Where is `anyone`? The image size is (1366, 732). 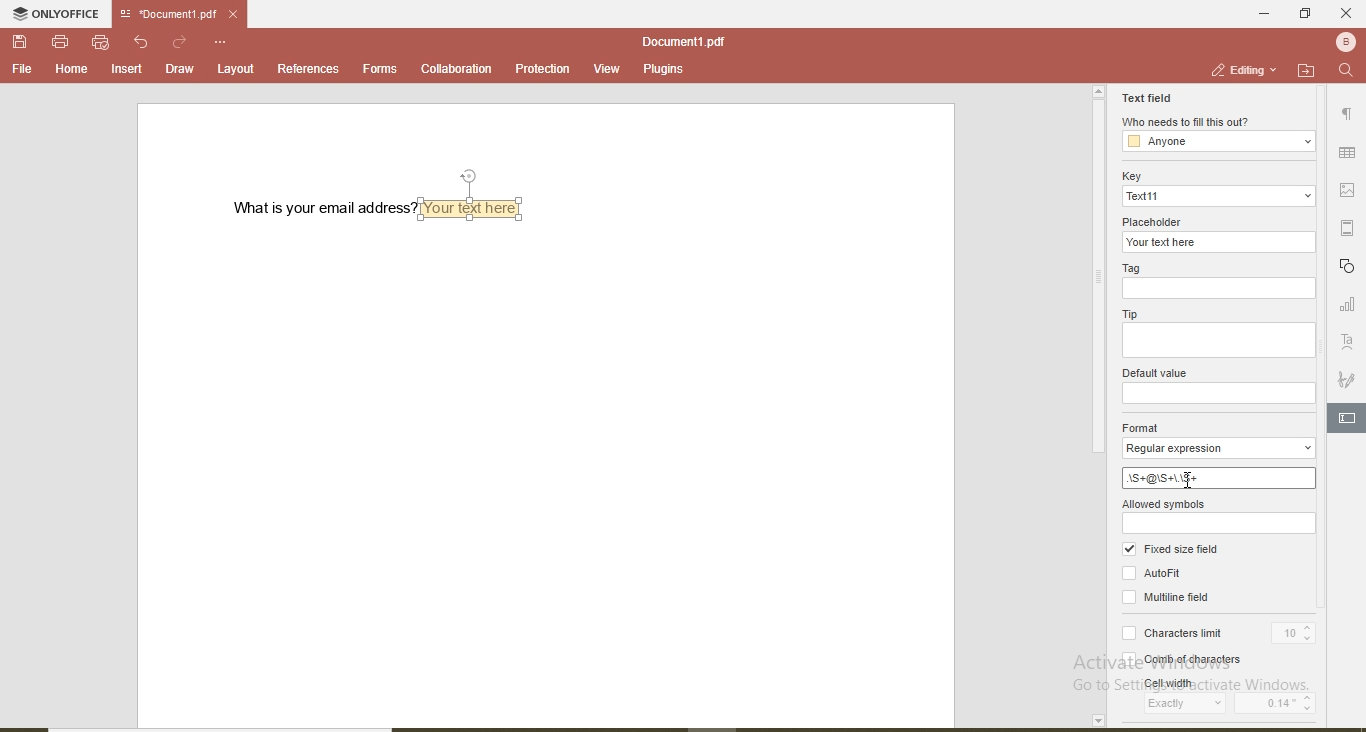 anyone is located at coordinates (1220, 142).